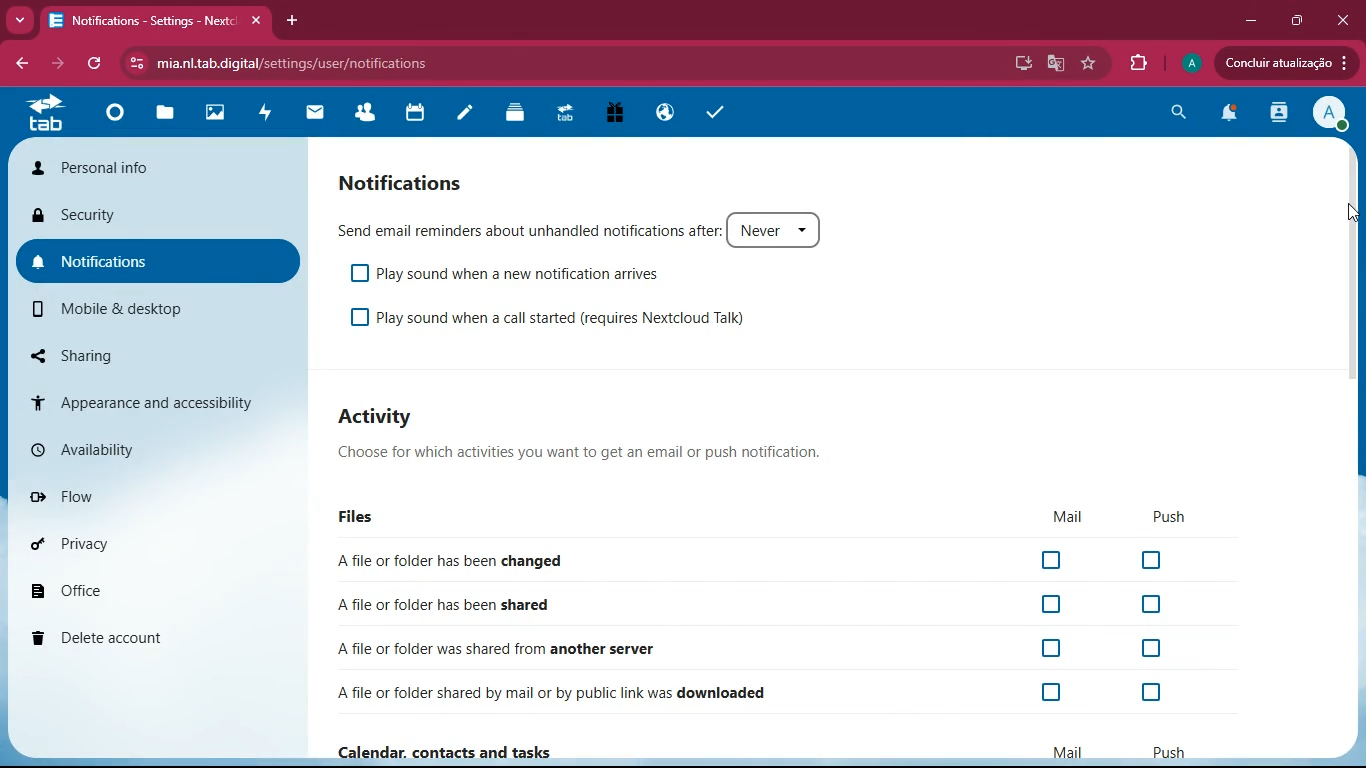  Describe the element at coordinates (133, 64) in the screenshot. I see `view site information` at that location.